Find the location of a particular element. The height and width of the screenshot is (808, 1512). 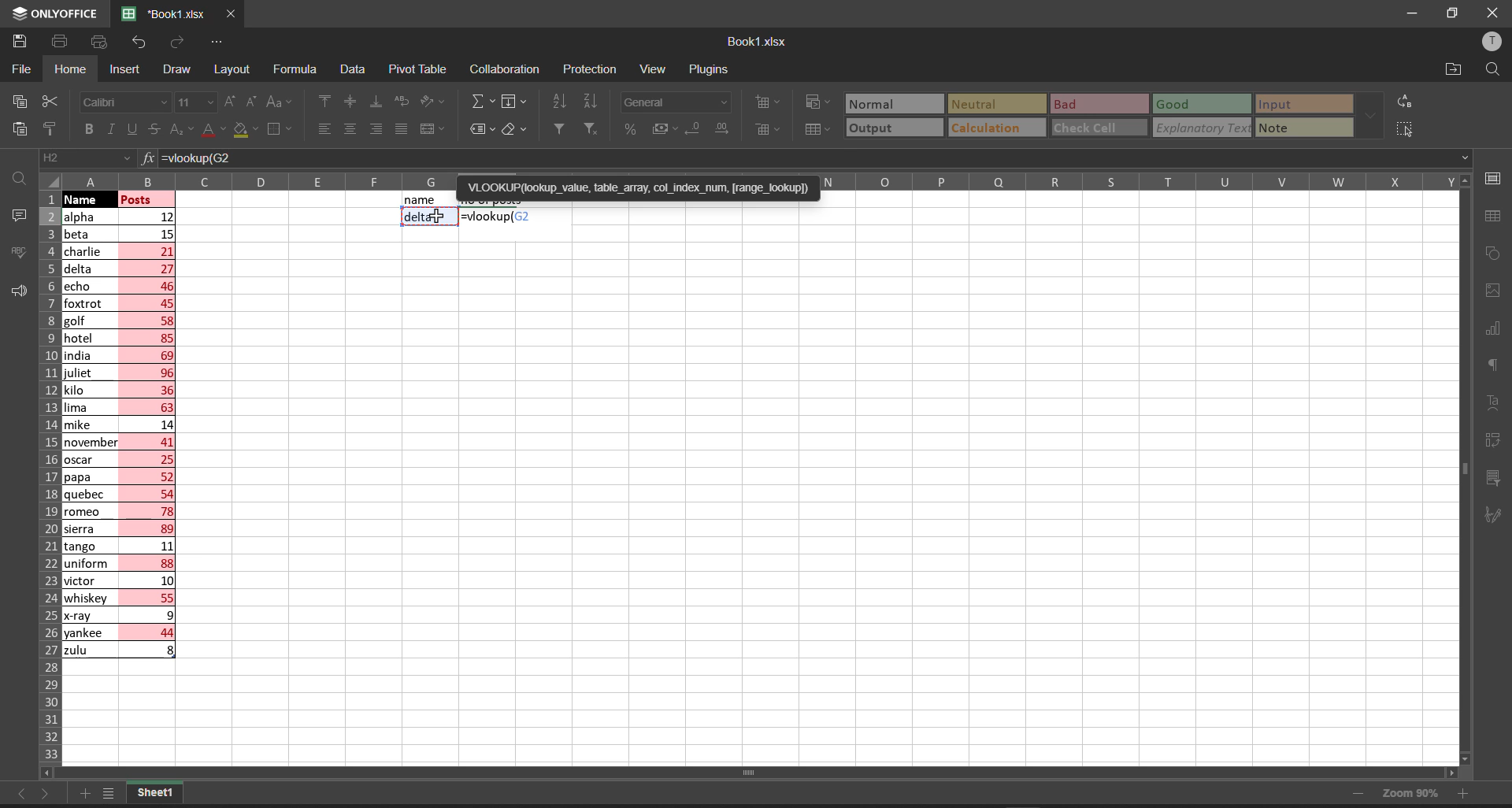

copy style is located at coordinates (55, 128).